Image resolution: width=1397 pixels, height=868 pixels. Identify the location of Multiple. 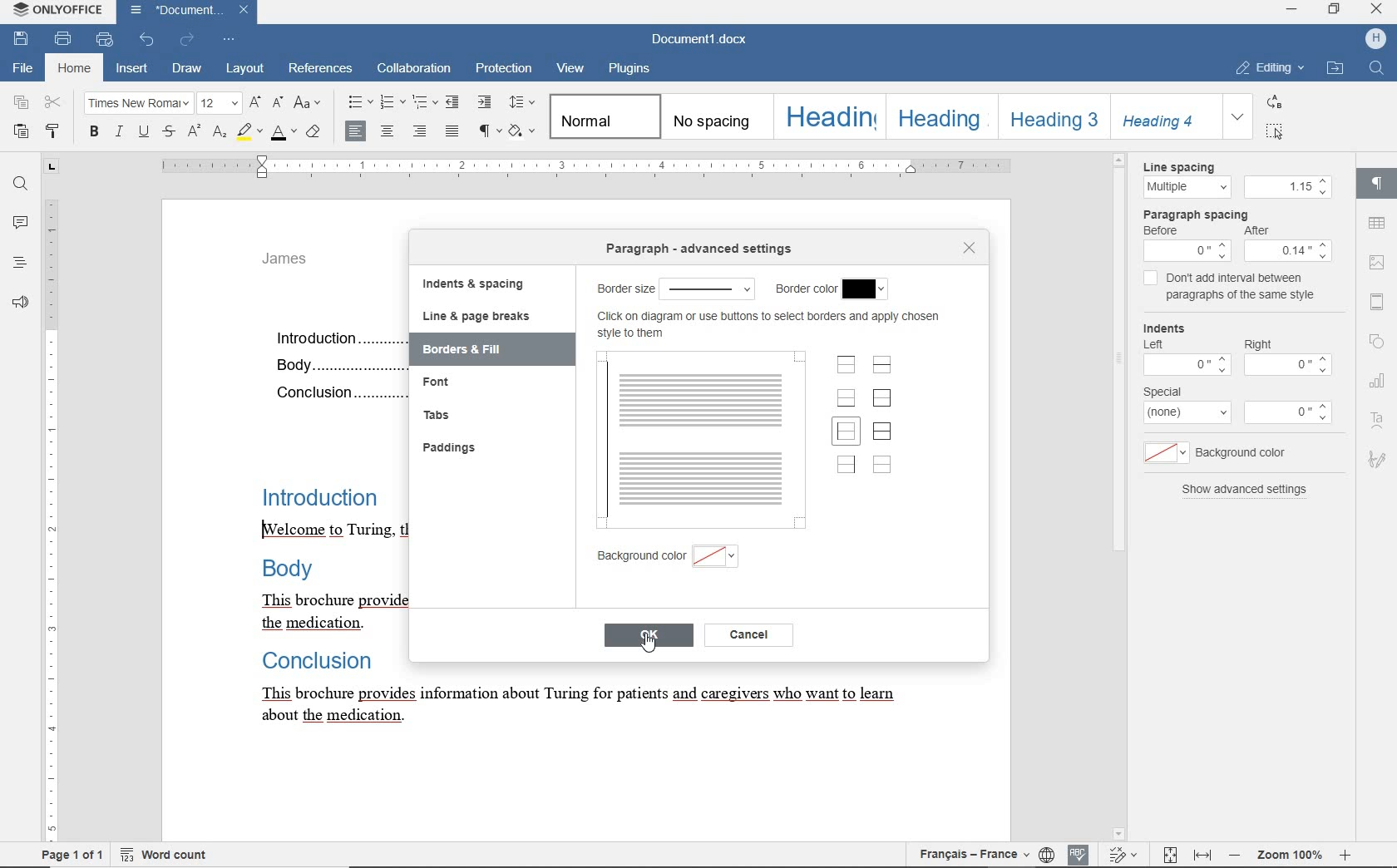
(1186, 188).